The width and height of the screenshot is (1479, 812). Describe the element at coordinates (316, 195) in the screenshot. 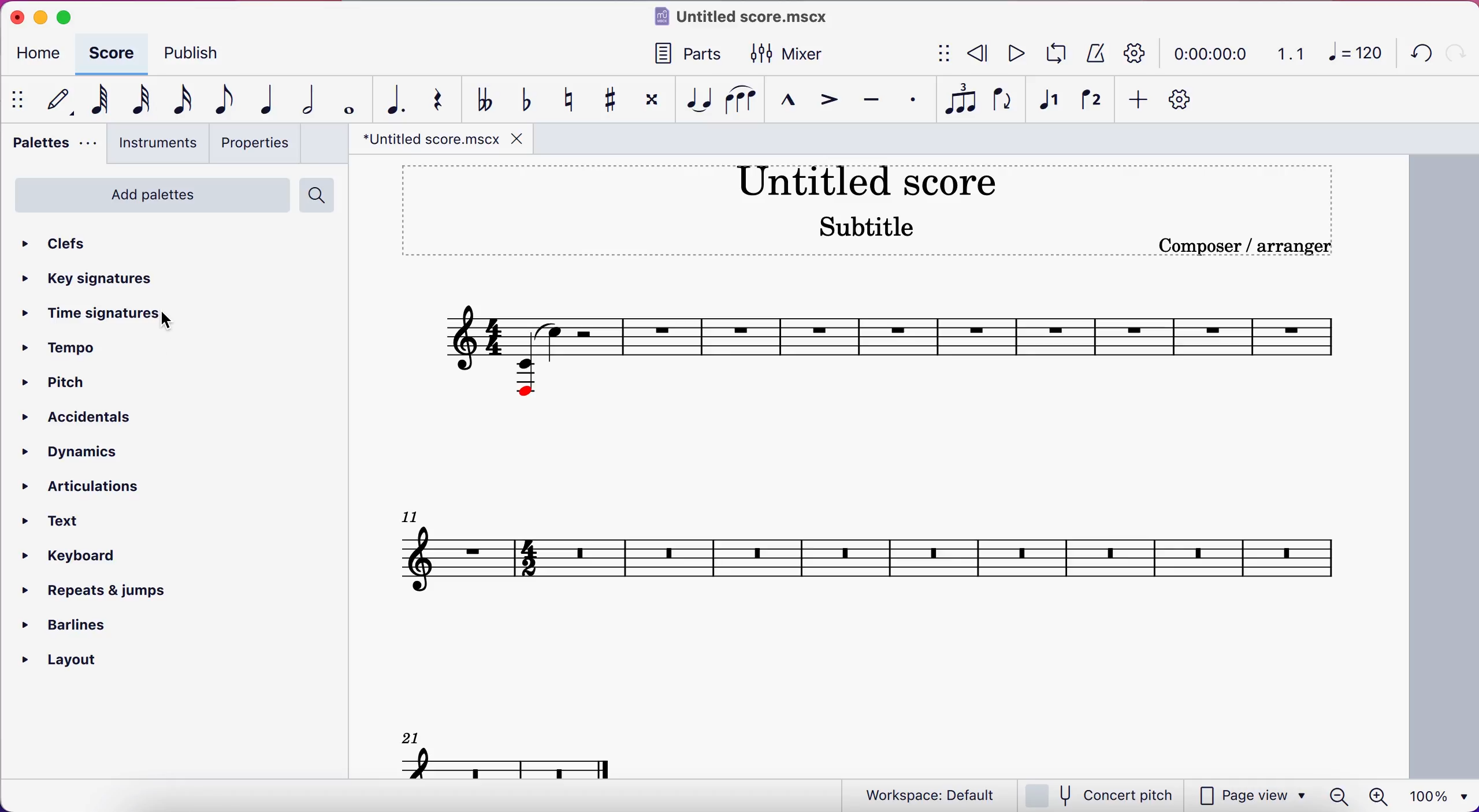

I see `search` at that location.